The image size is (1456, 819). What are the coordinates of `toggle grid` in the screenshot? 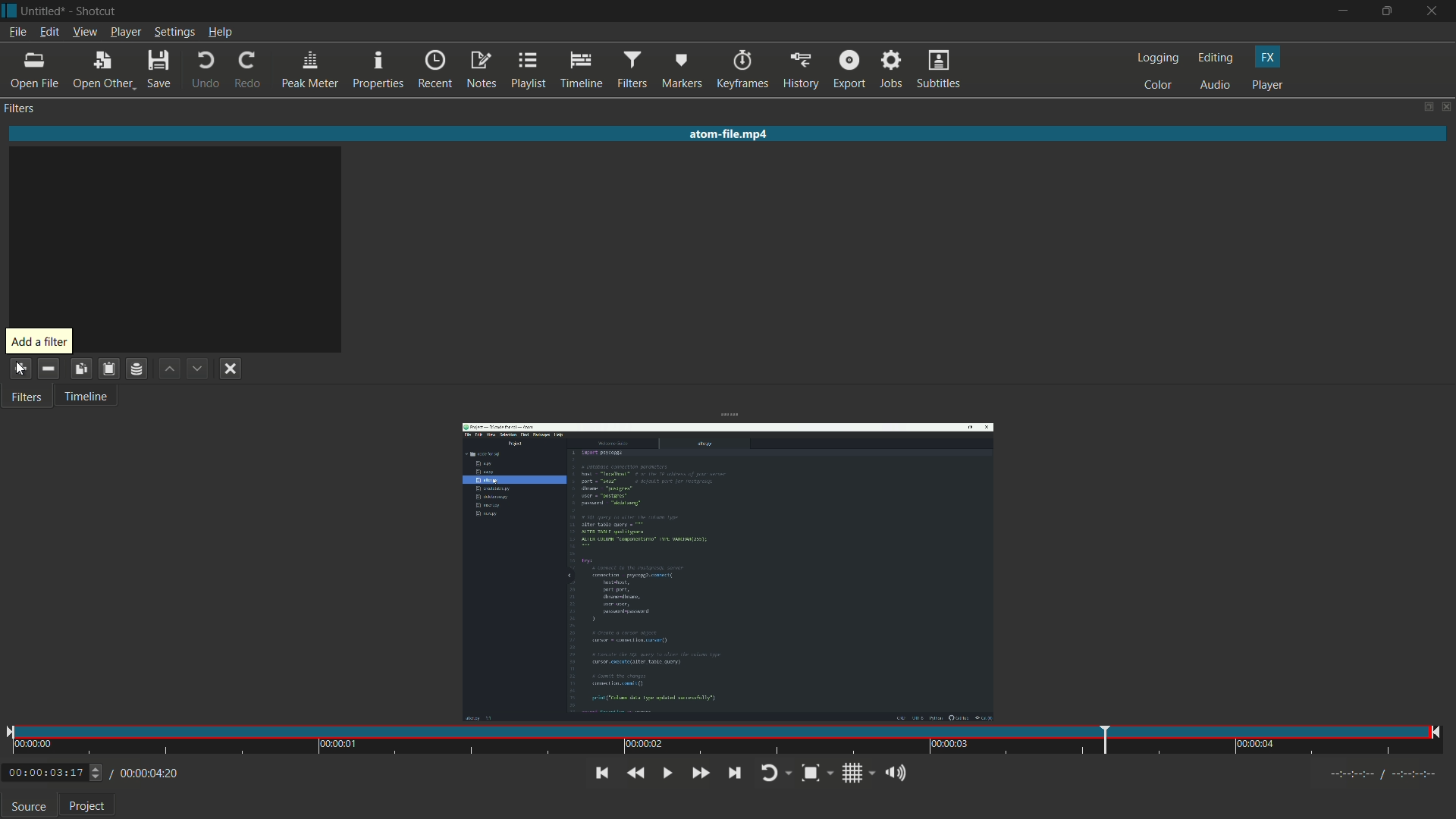 It's located at (854, 773).